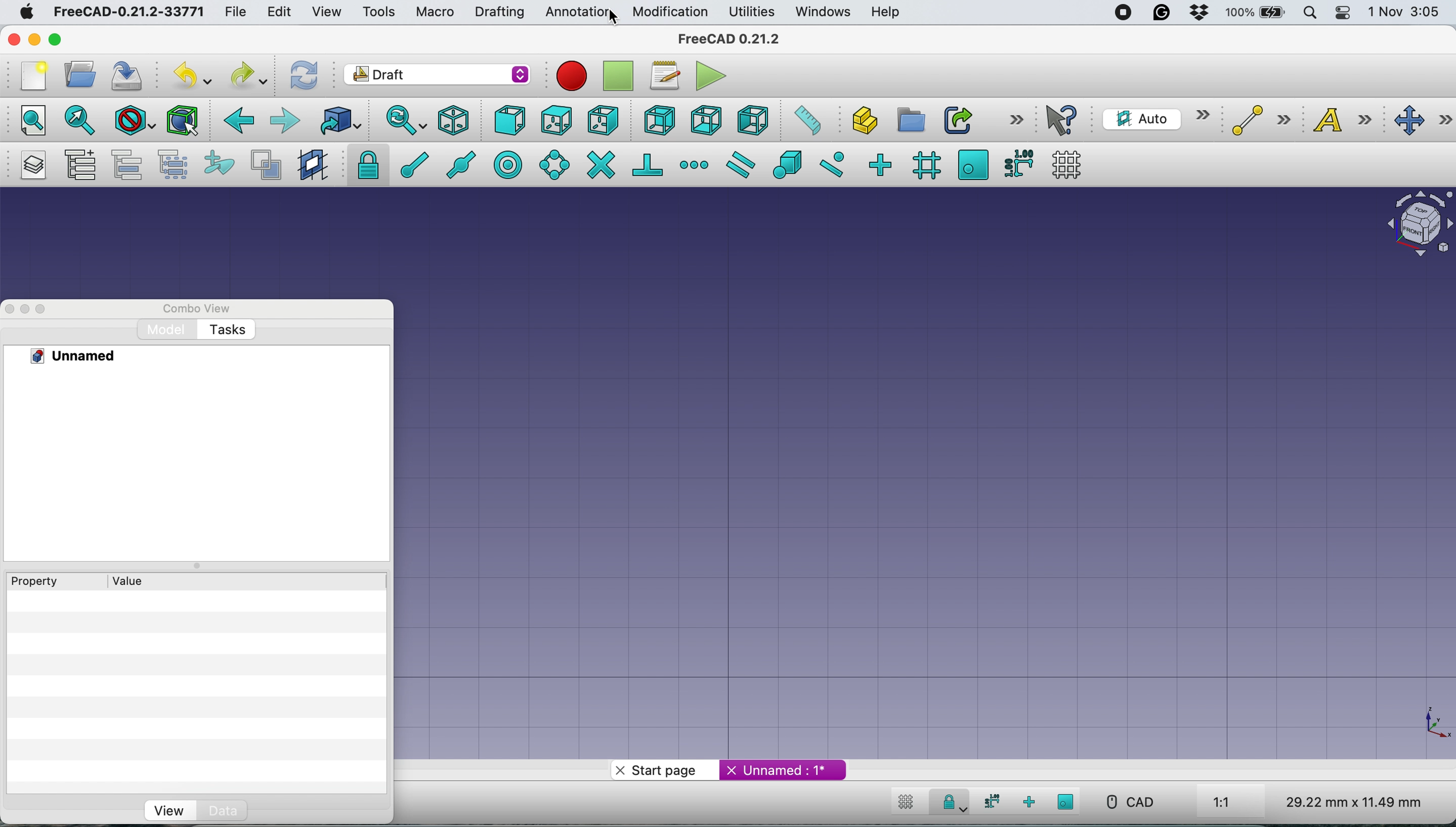 This screenshot has width=1456, height=827. I want to click on snap lock, so click(363, 165).